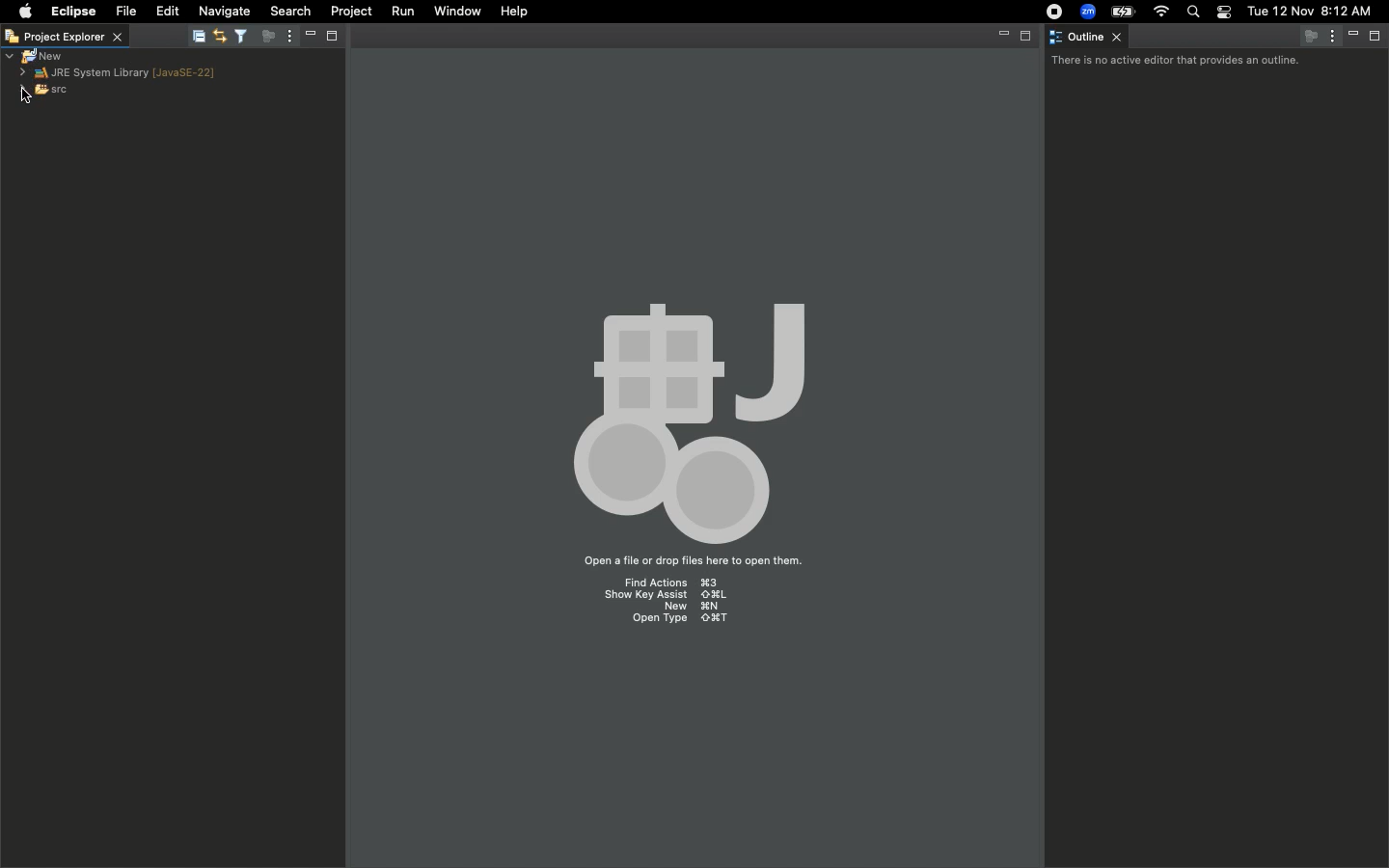 Image resolution: width=1389 pixels, height=868 pixels. Describe the element at coordinates (698, 415) in the screenshot. I see `Emblem` at that location.